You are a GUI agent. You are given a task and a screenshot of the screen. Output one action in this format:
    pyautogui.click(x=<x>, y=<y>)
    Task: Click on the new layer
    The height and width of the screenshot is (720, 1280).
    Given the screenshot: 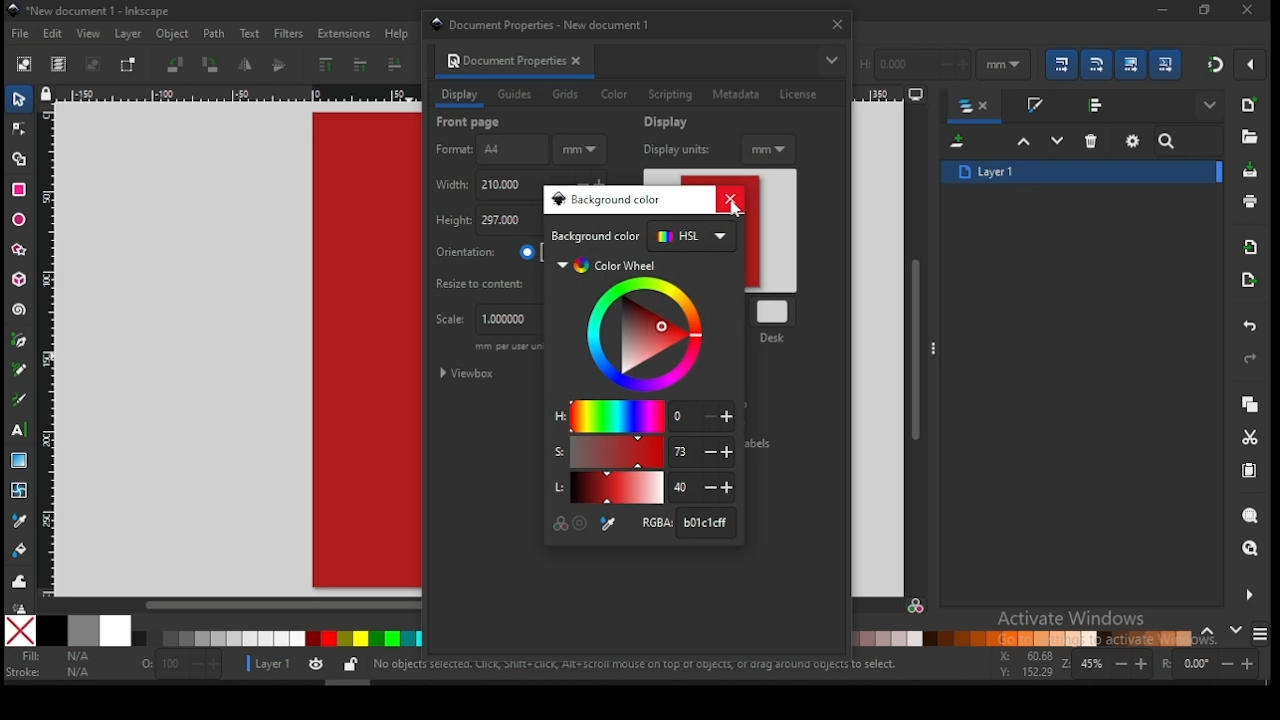 What is the action you would take?
    pyautogui.click(x=960, y=143)
    